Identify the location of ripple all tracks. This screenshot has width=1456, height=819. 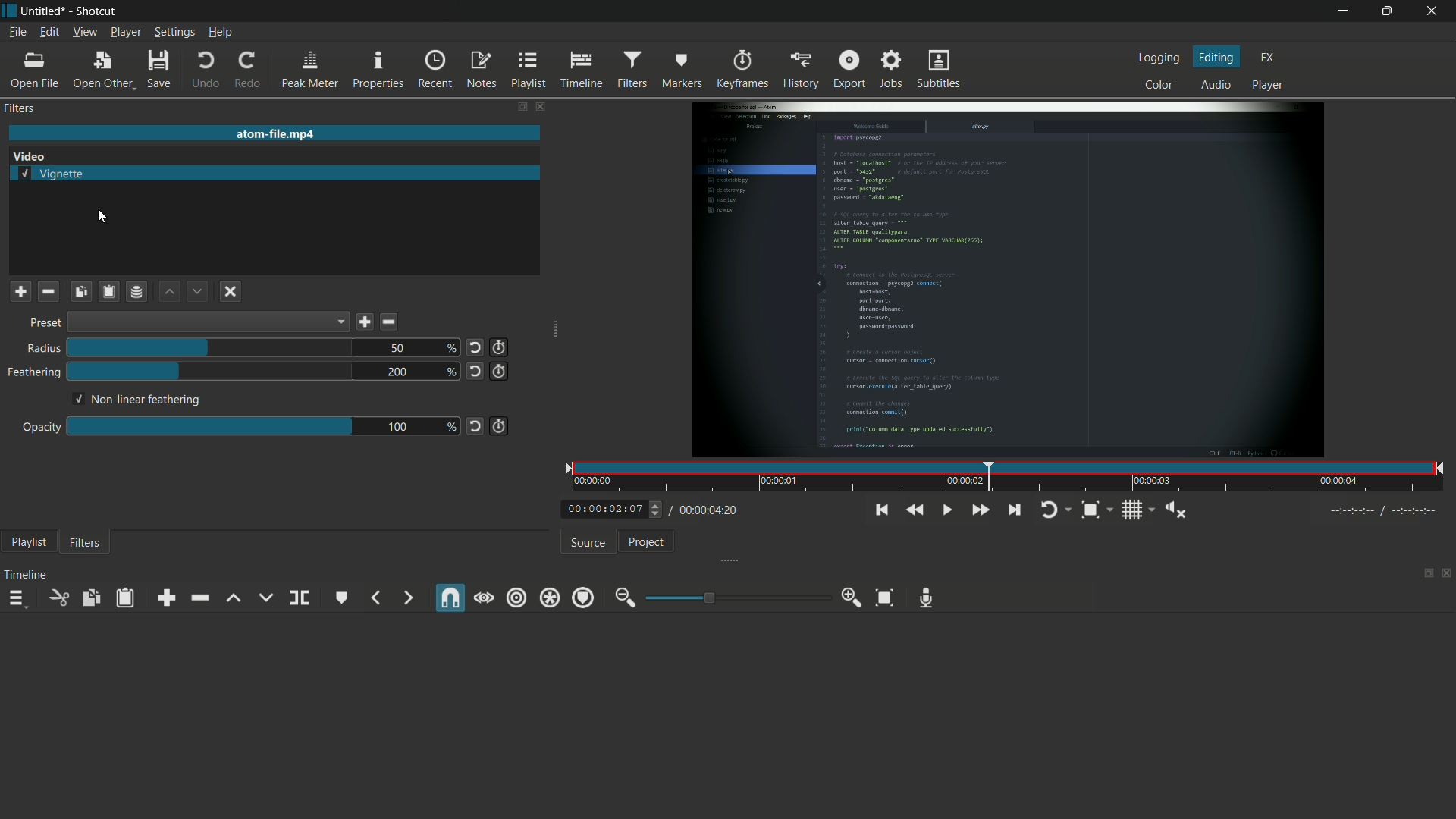
(548, 599).